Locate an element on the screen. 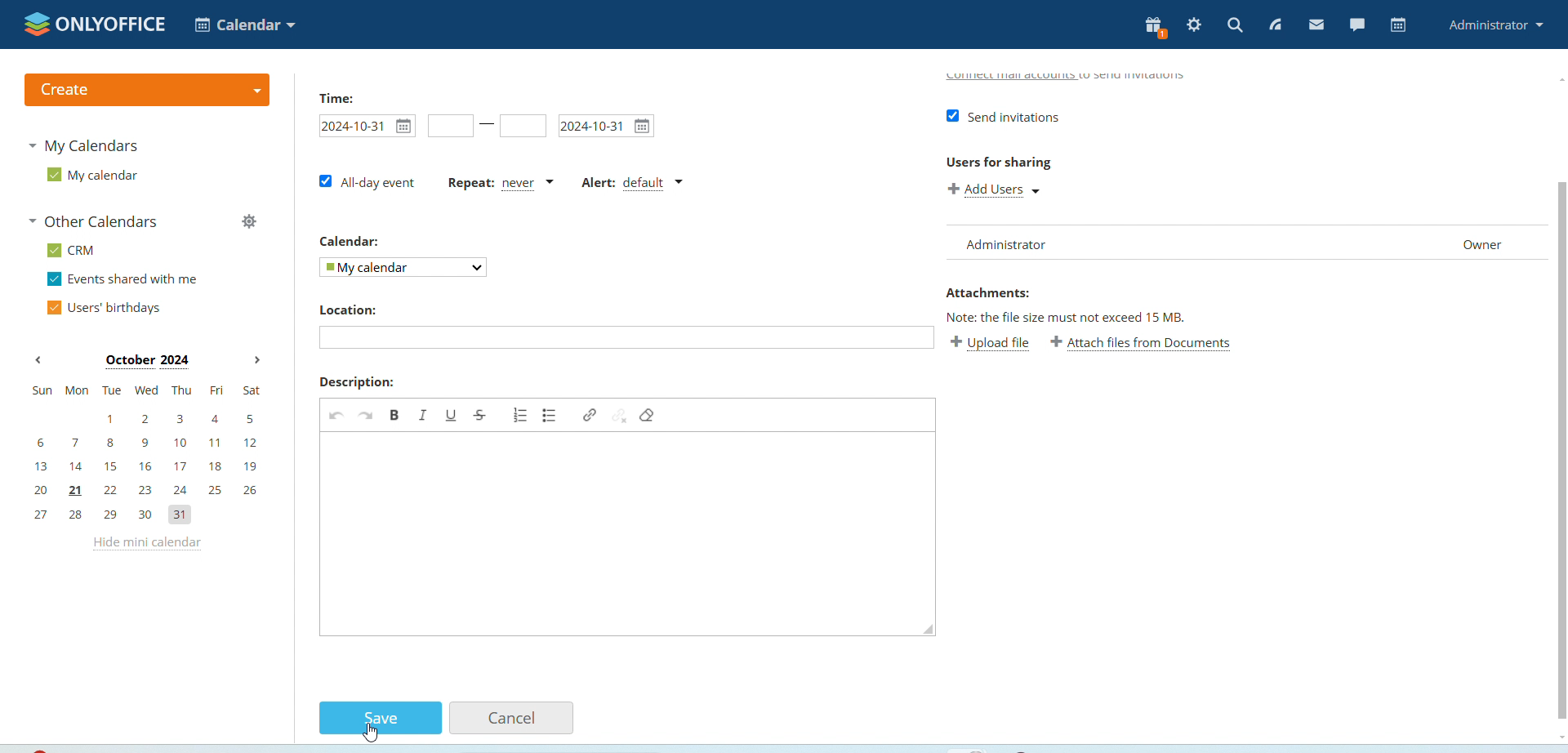  onlyffice logo is located at coordinates (95, 24).